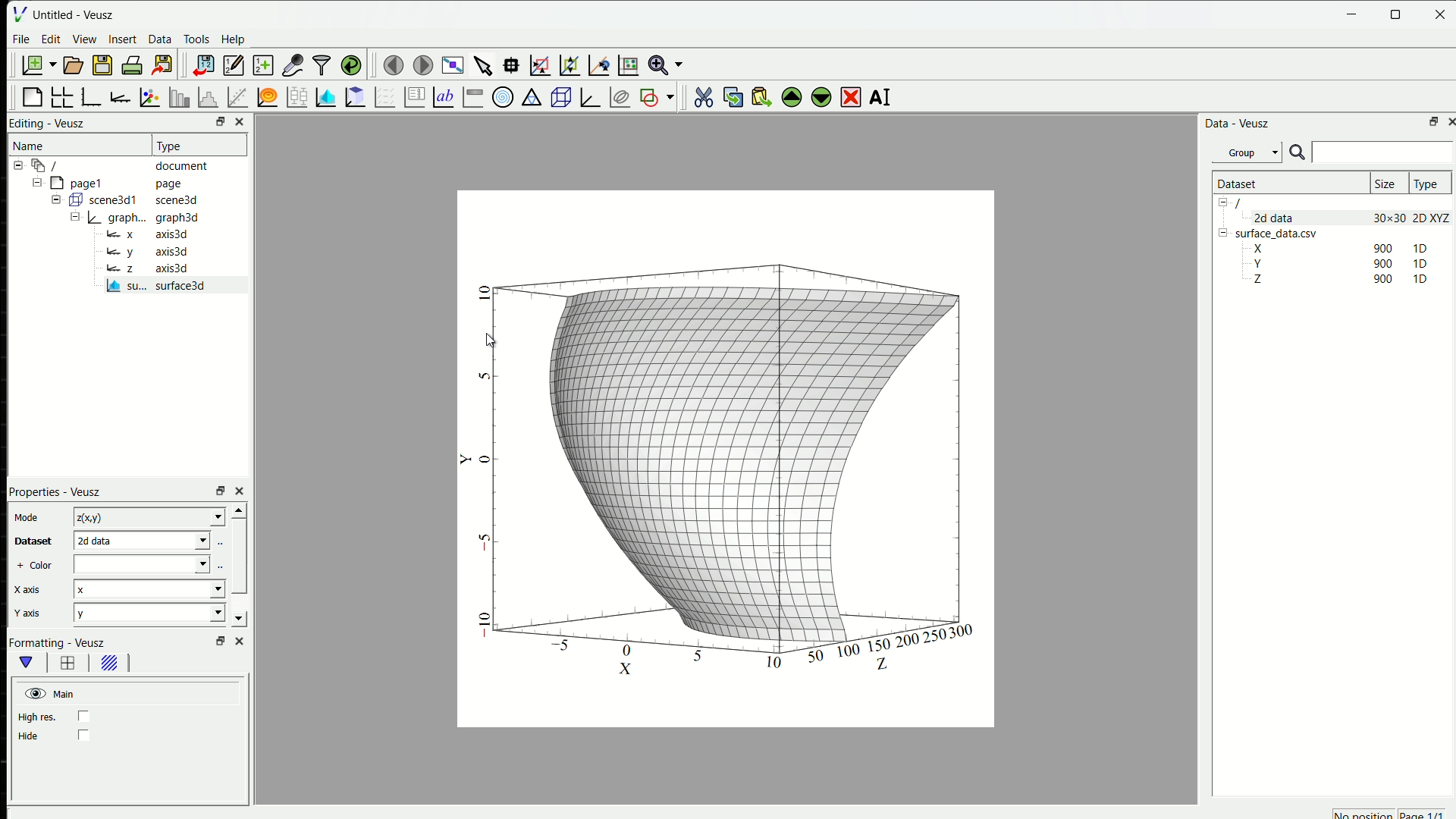 The width and height of the screenshot is (1456, 819). I want to click on base graph, so click(93, 96).